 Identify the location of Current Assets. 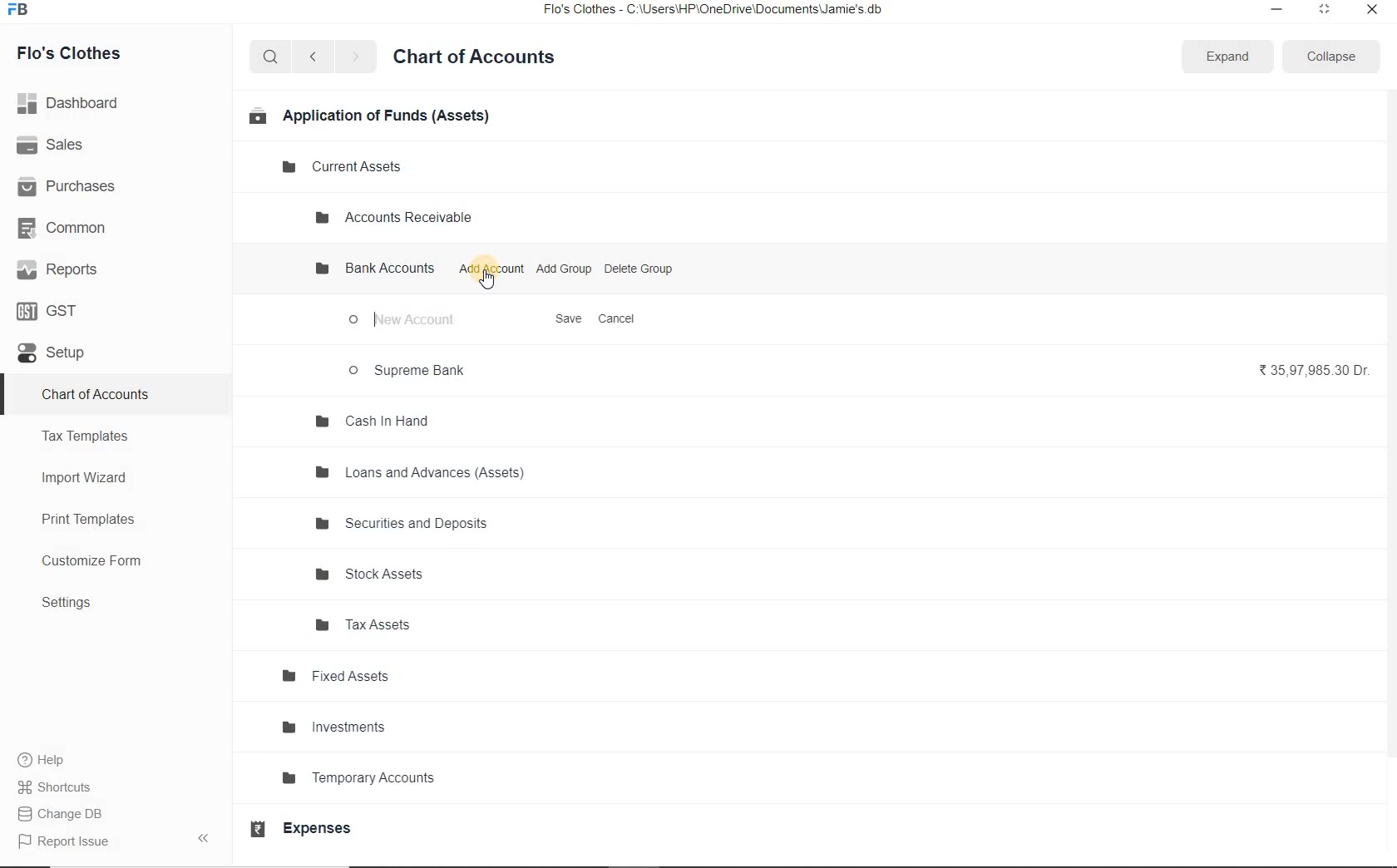
(351, 165).